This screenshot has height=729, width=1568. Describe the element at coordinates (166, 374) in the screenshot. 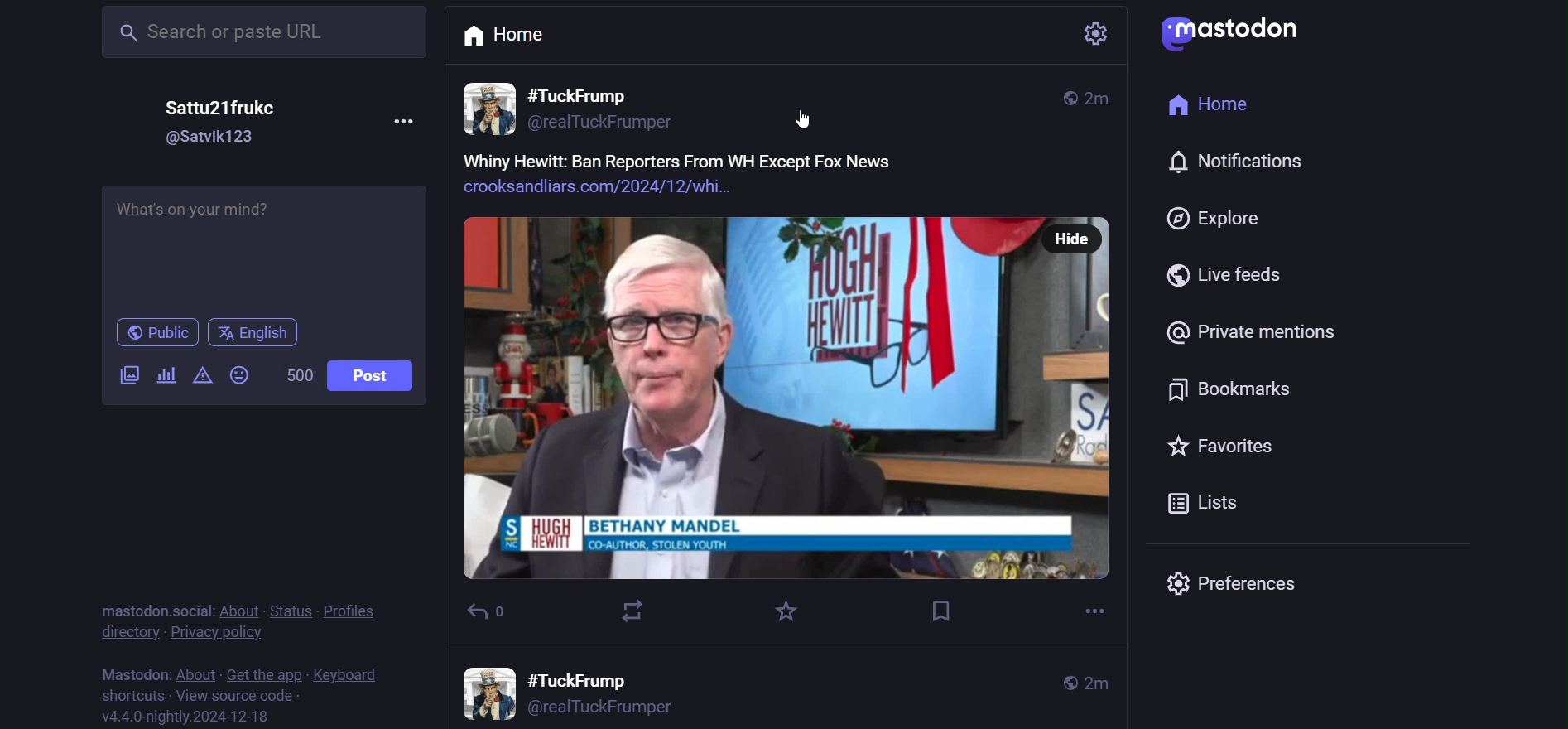

I see `poll` at that location.